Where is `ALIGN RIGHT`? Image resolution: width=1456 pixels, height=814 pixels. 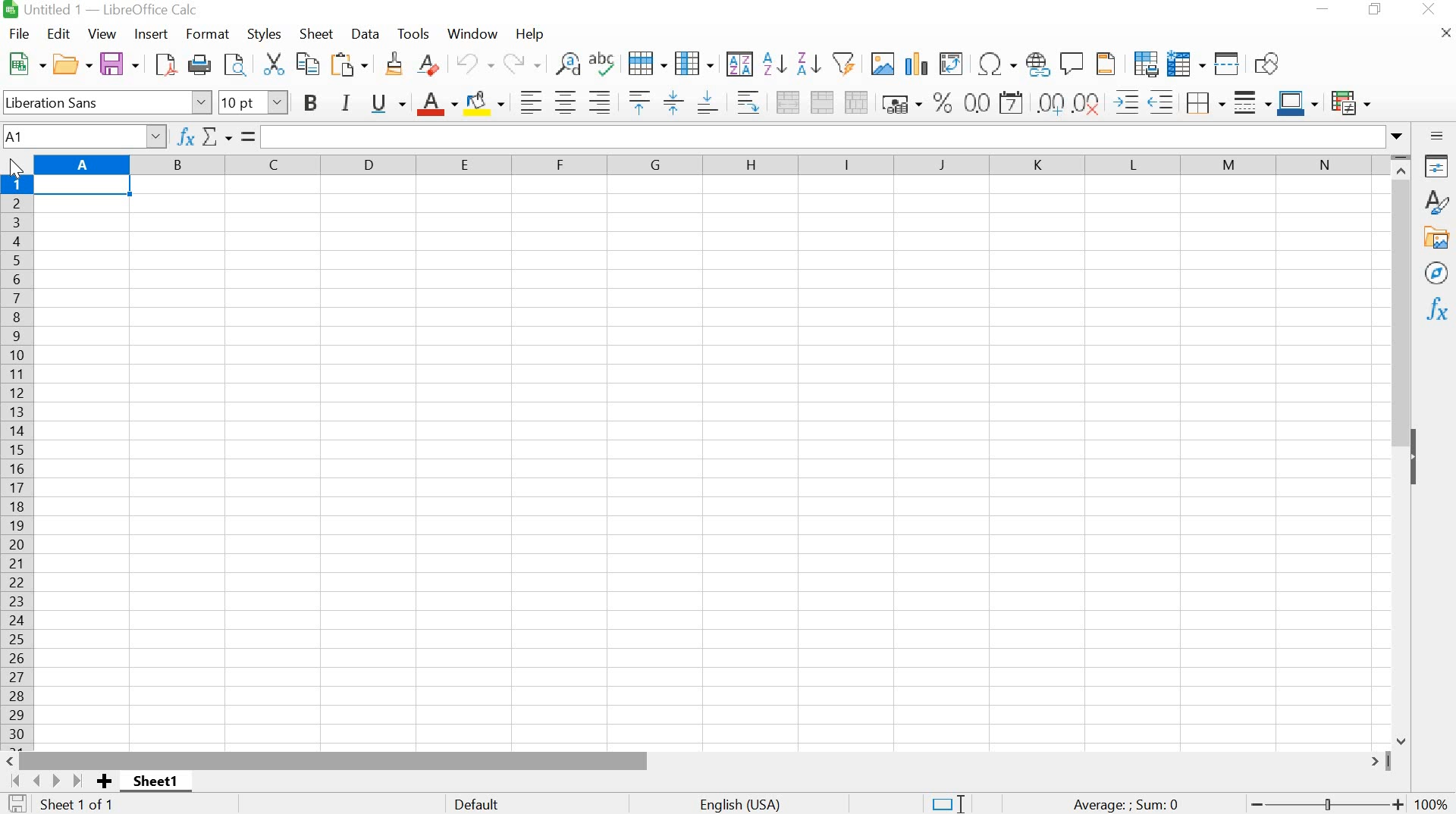 ALIGN RIGHT is located at coordinates (750, 102).